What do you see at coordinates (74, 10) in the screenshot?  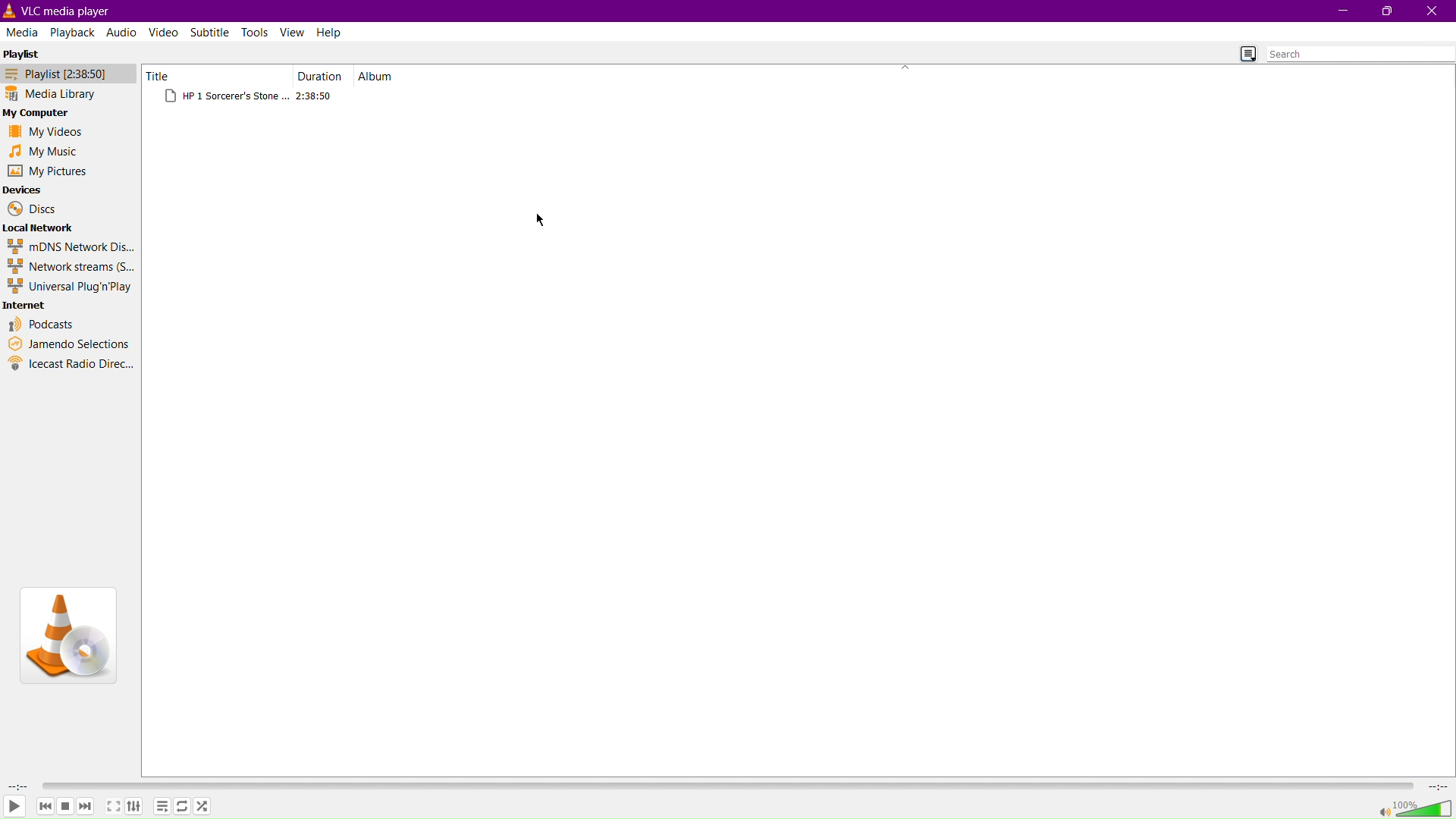 I see `VLC Media Player` at bounding box center [74, 10].